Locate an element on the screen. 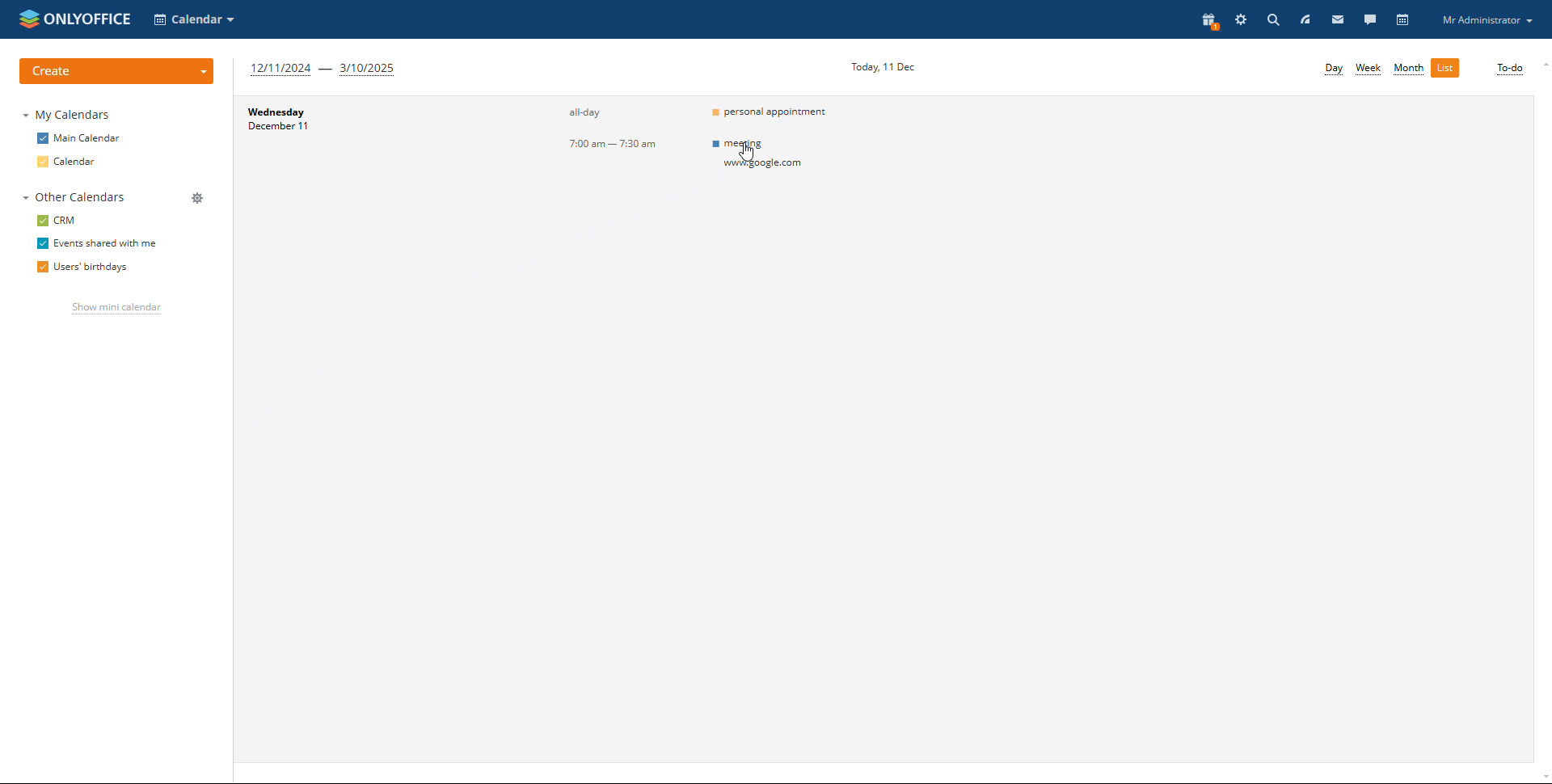 The width and height of the screenshot is (1552, 784). selct calendar is located at coordinates (194, 19).